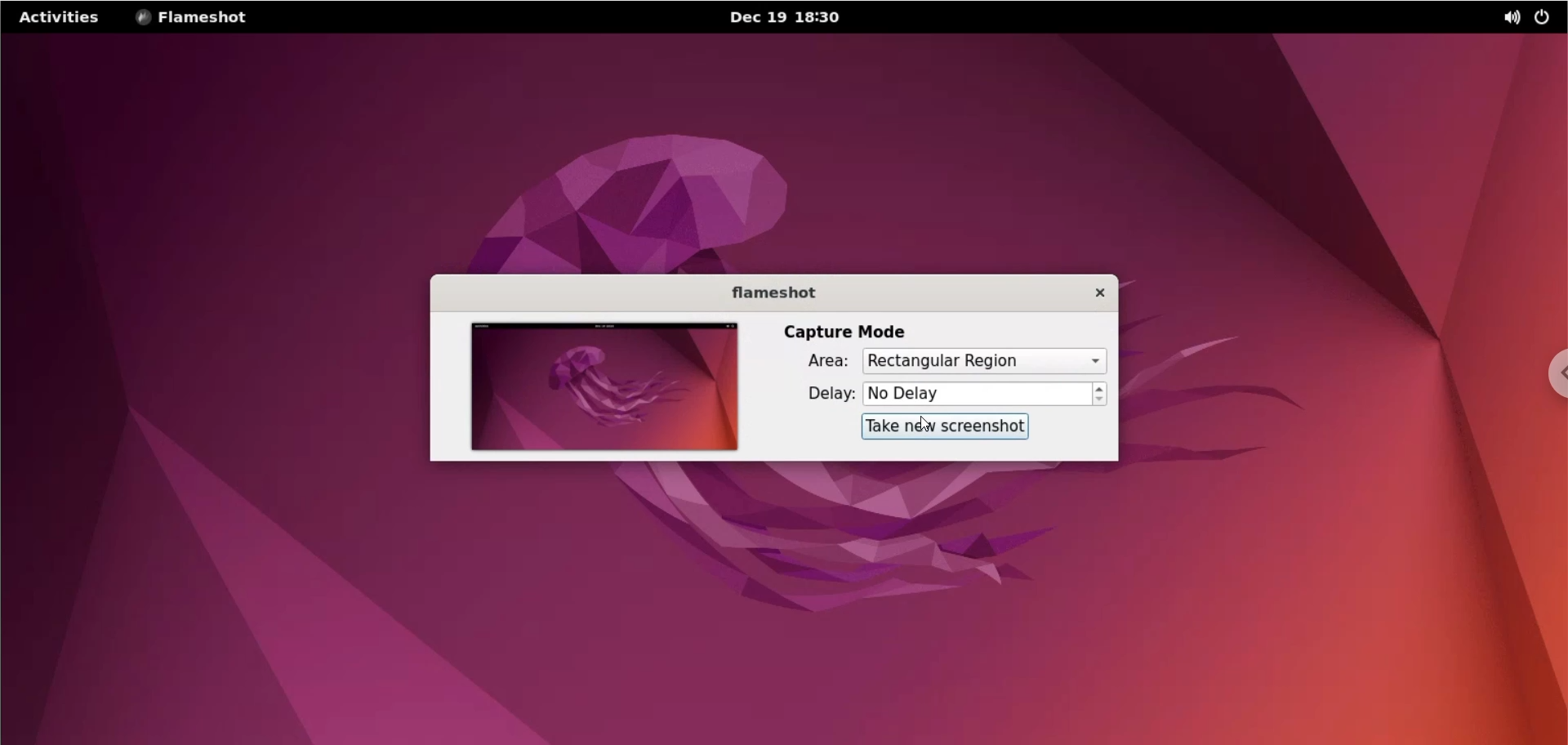 This screenshot has width=1568, height=745. I want to click on Date and time, so click(791, 17).